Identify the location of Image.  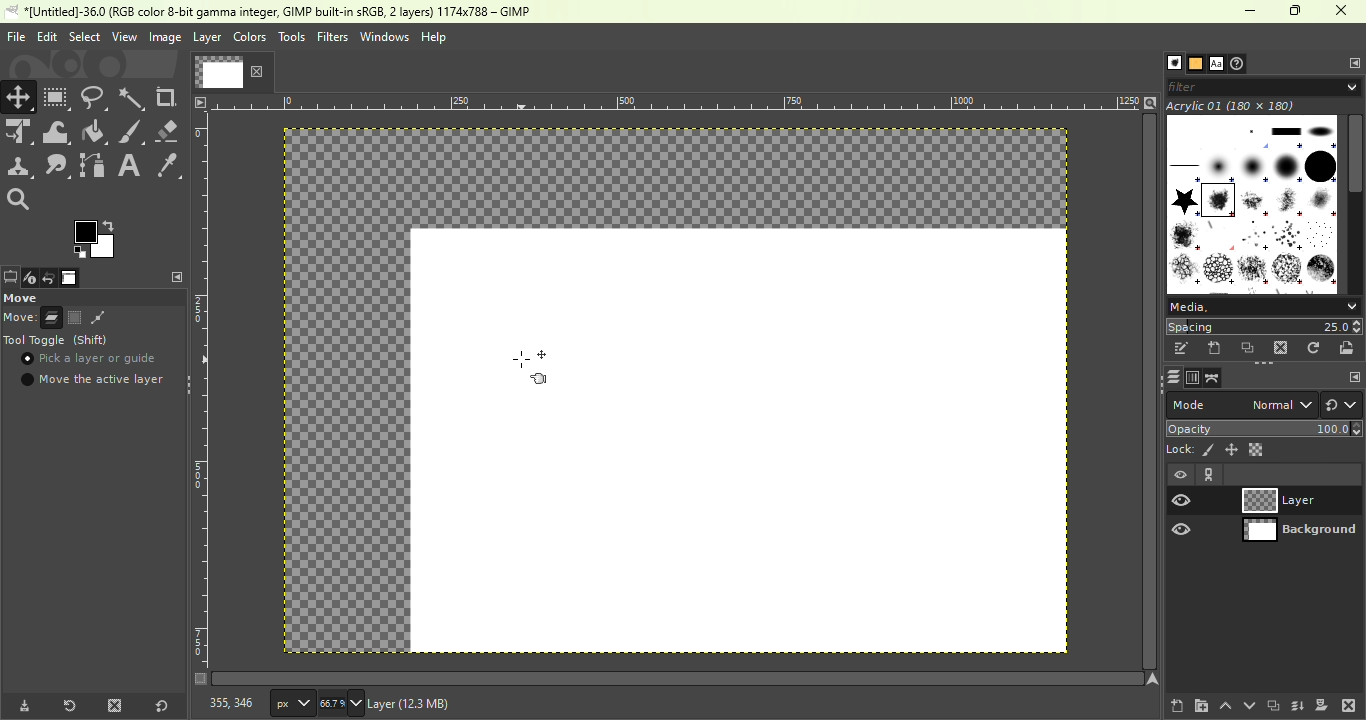
(163, 37).